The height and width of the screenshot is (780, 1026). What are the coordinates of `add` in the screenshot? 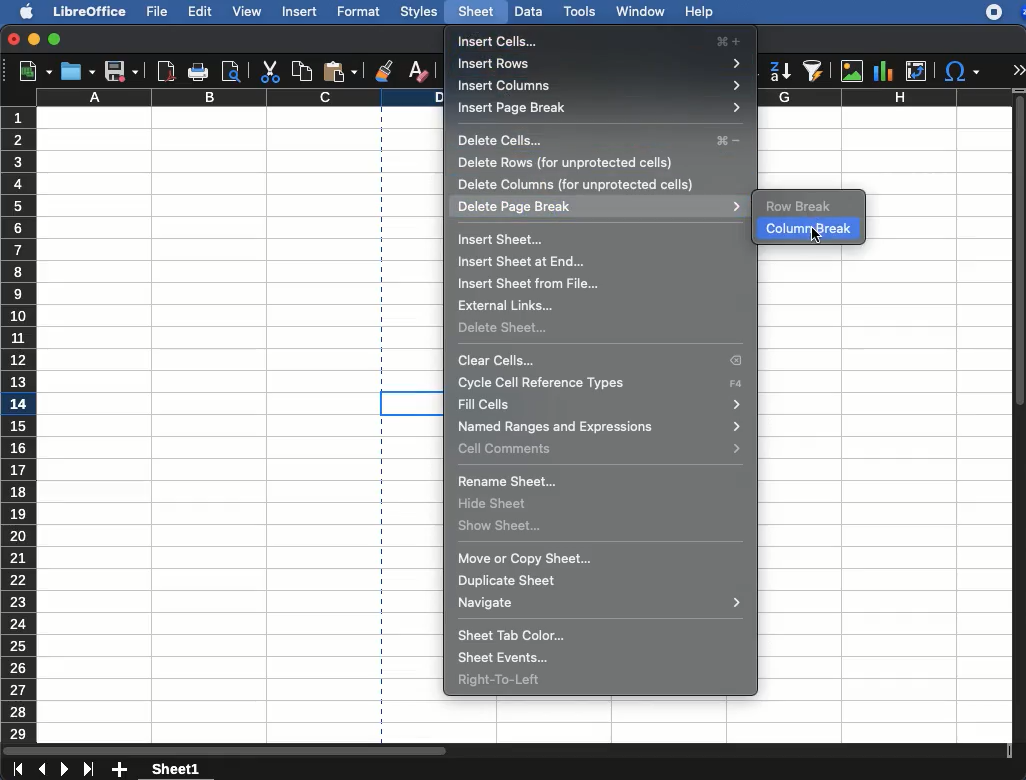 It's located at (122, 770).